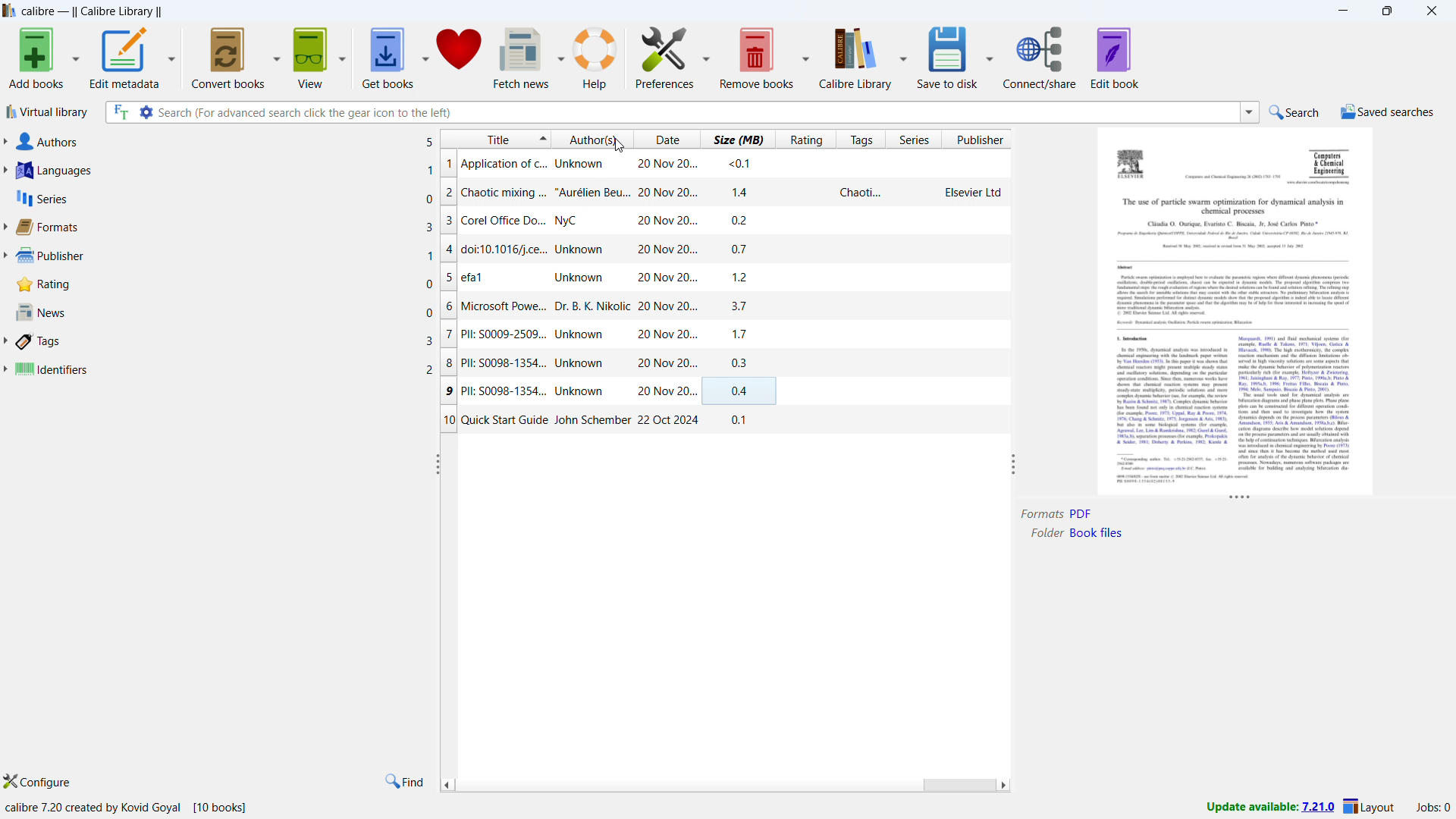  Describe the element at coordinates (424, 58) in the screenshot. I see `get books options` at that location.